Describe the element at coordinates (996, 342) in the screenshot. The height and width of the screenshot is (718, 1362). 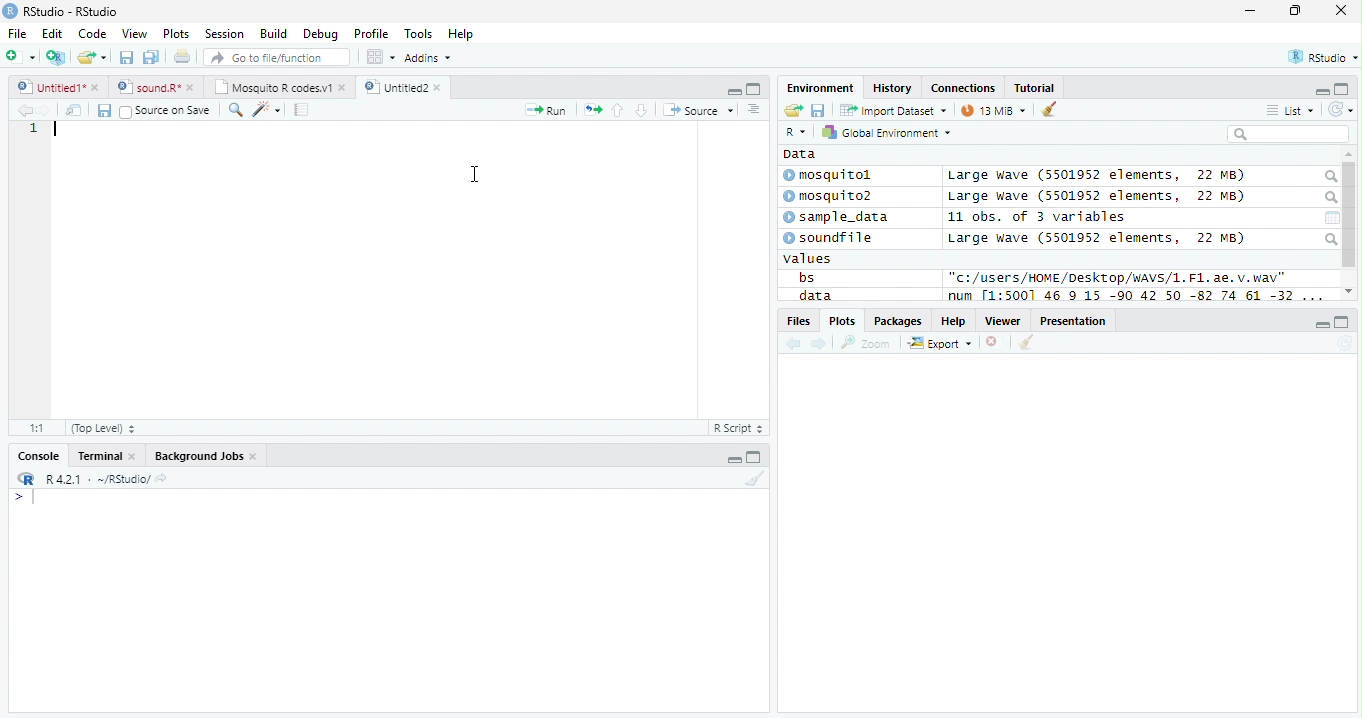
I see `delete file` at that location.